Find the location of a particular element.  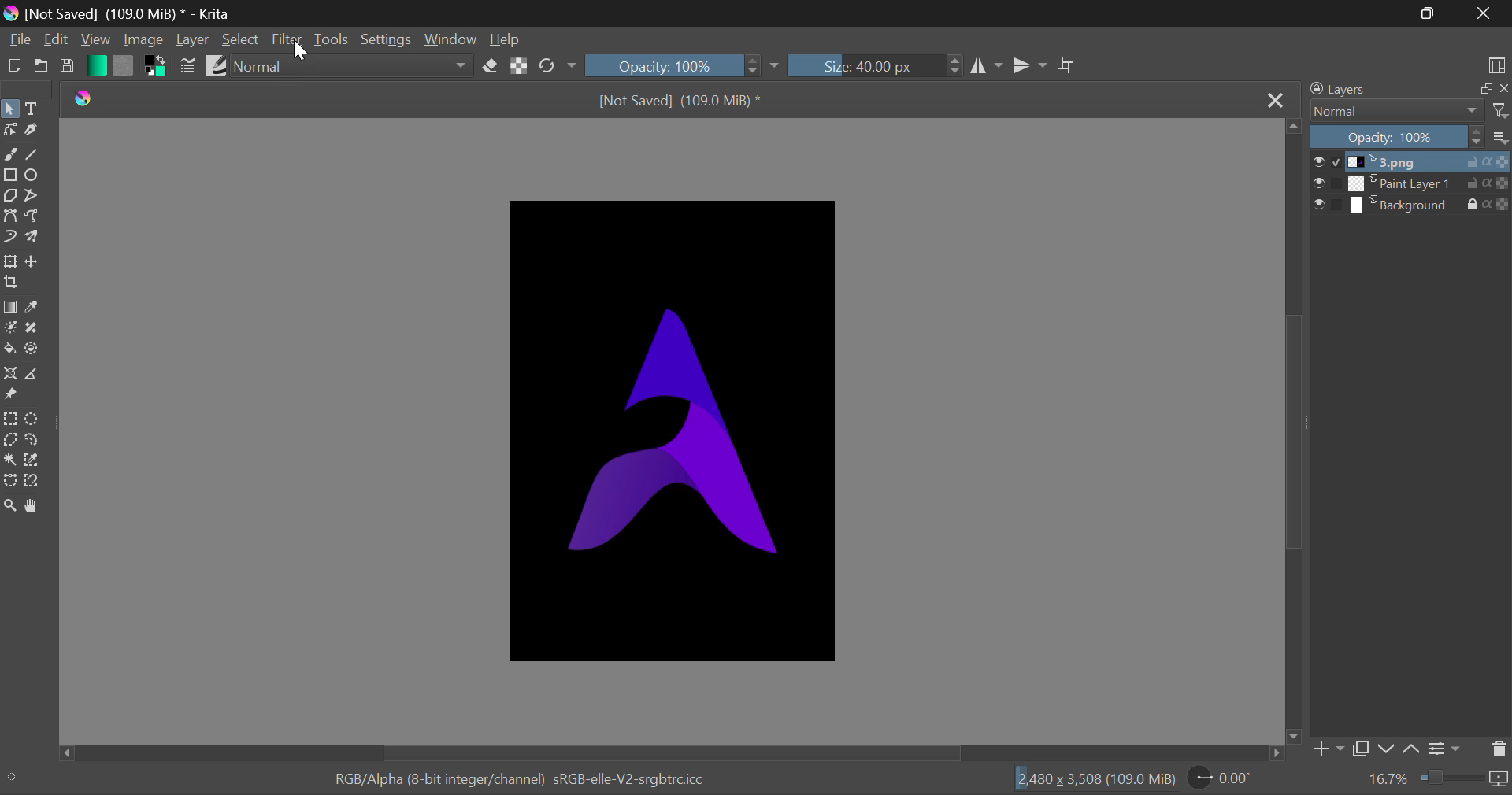

Opacity 100% is located at coordinates (1412, 138).